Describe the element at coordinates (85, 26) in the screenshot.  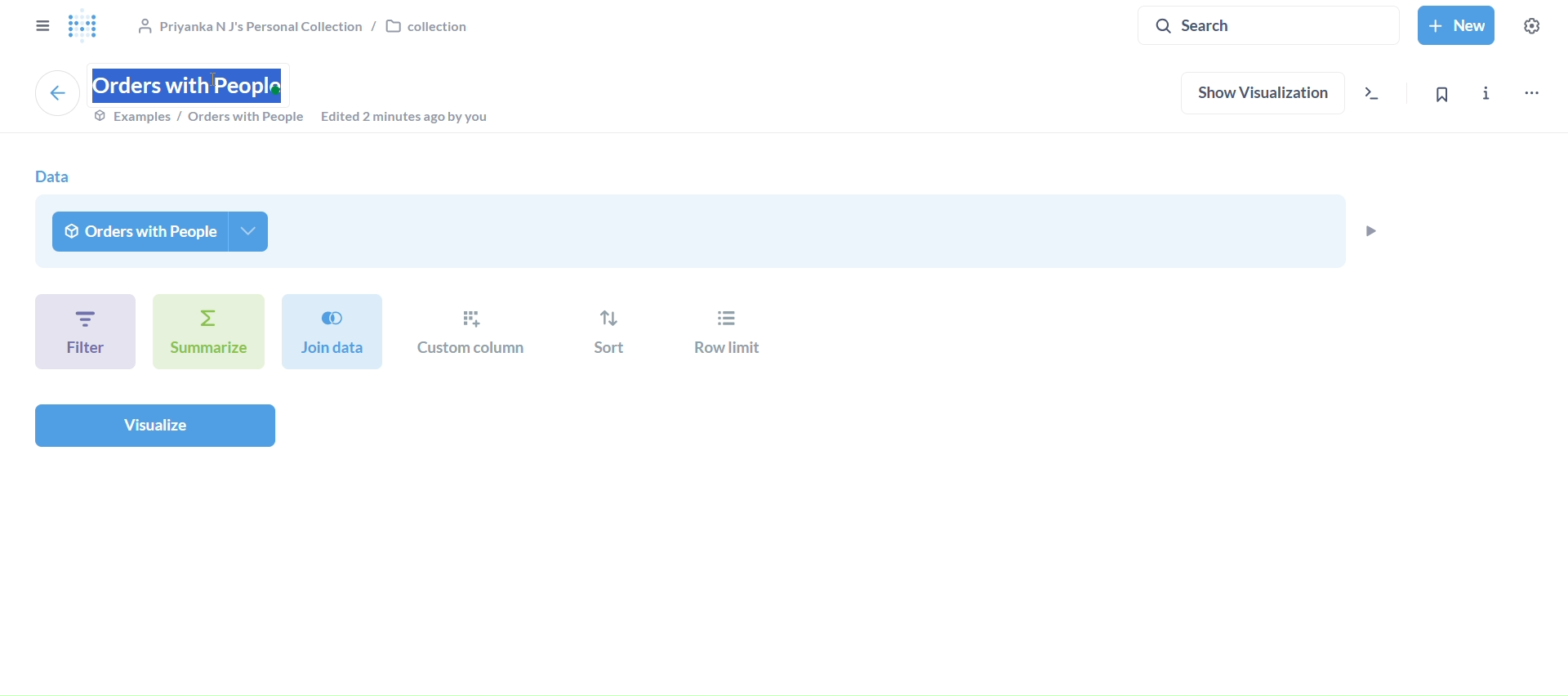
I see `logo` at that location.